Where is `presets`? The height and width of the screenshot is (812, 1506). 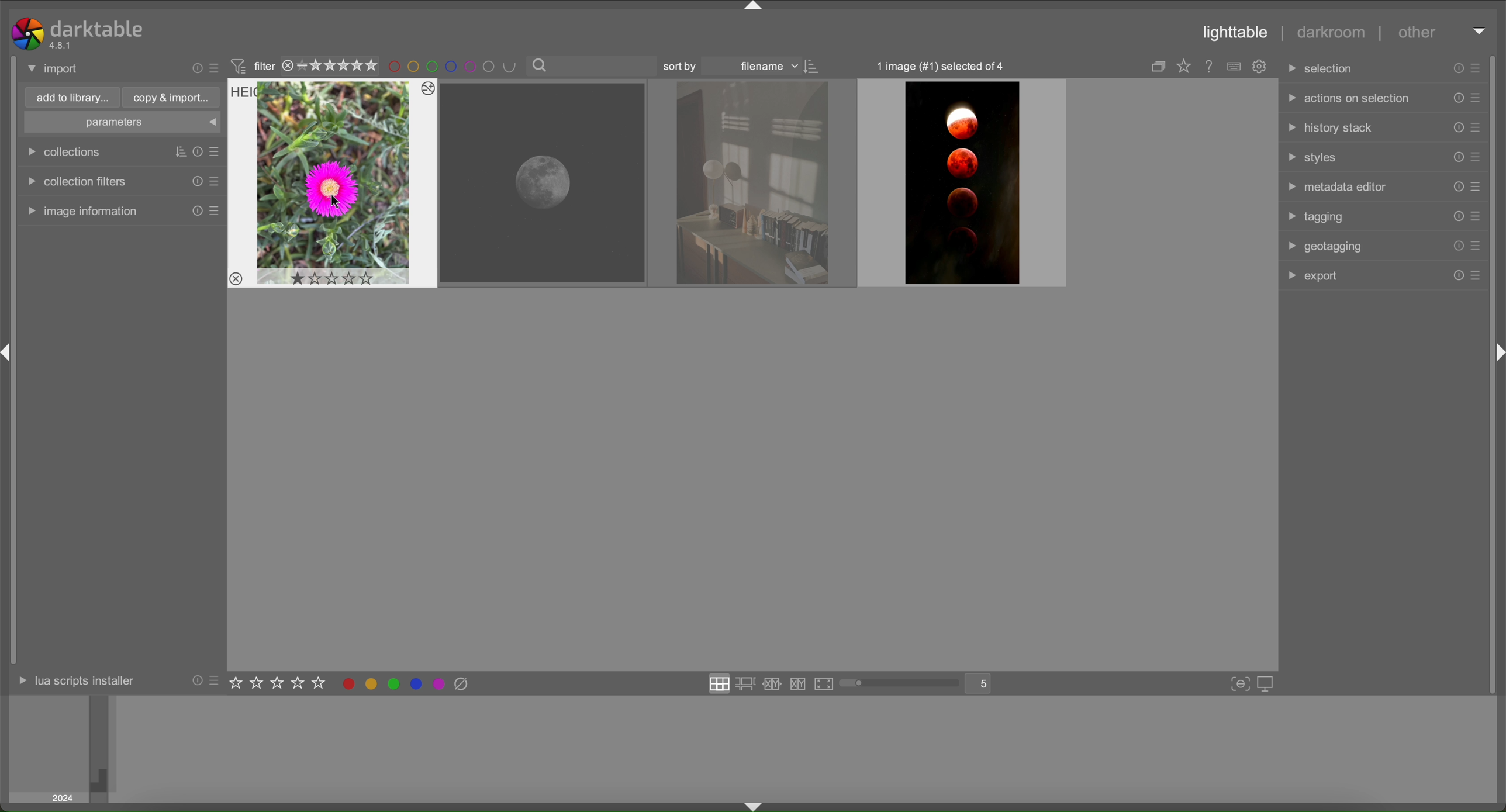
presets is located at coordinates (214, 181).